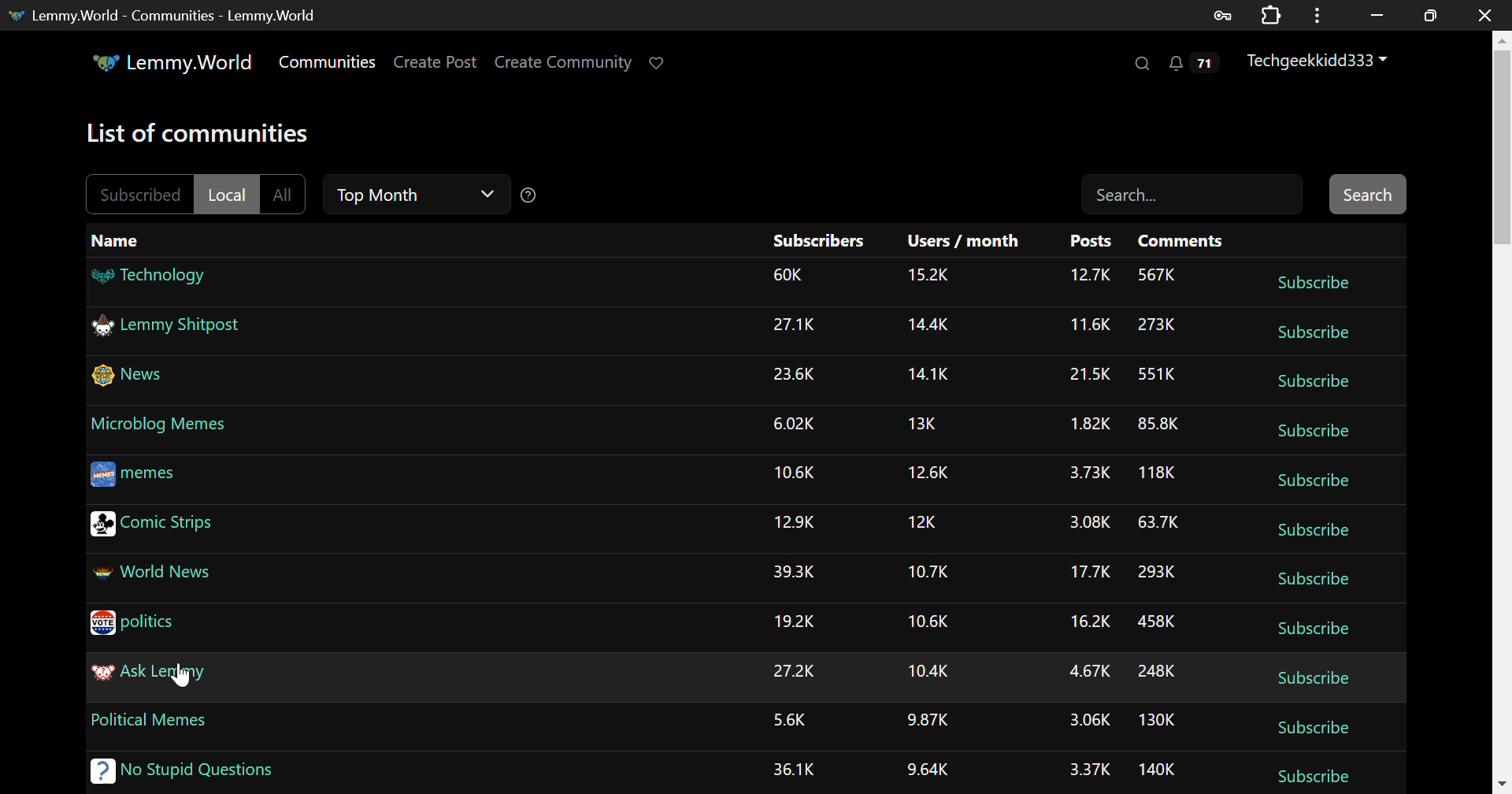  I want to click on Amount, so click(1158, 671).